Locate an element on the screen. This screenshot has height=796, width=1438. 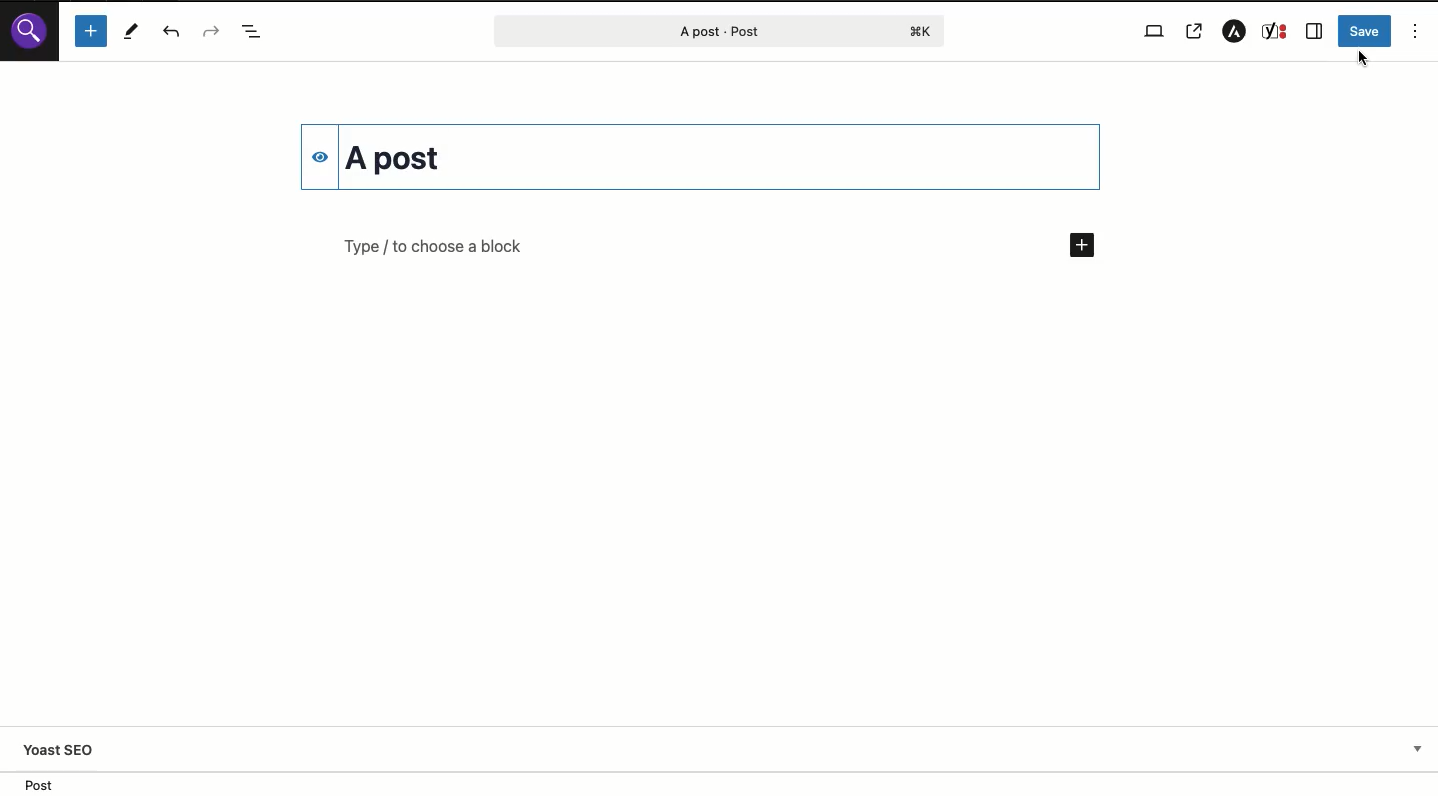
Astra is located at coordinates (1230, 32).